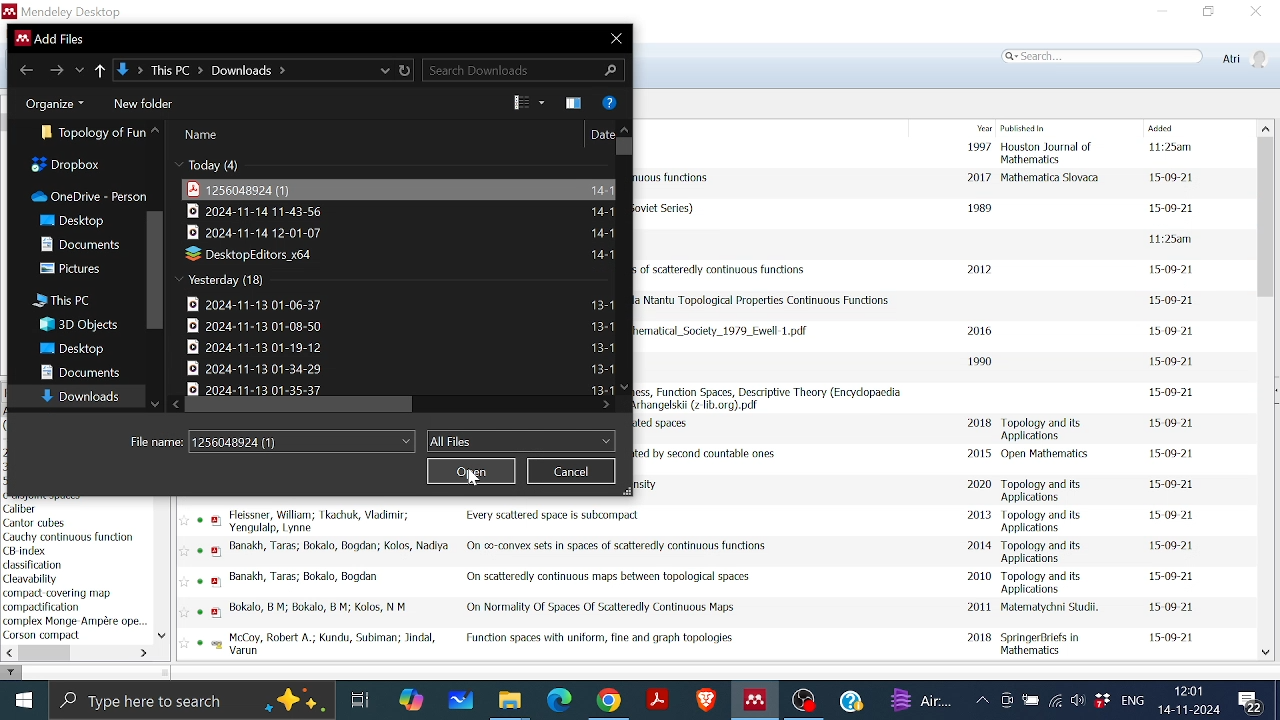  I want to click on Files, so click(520, 440).